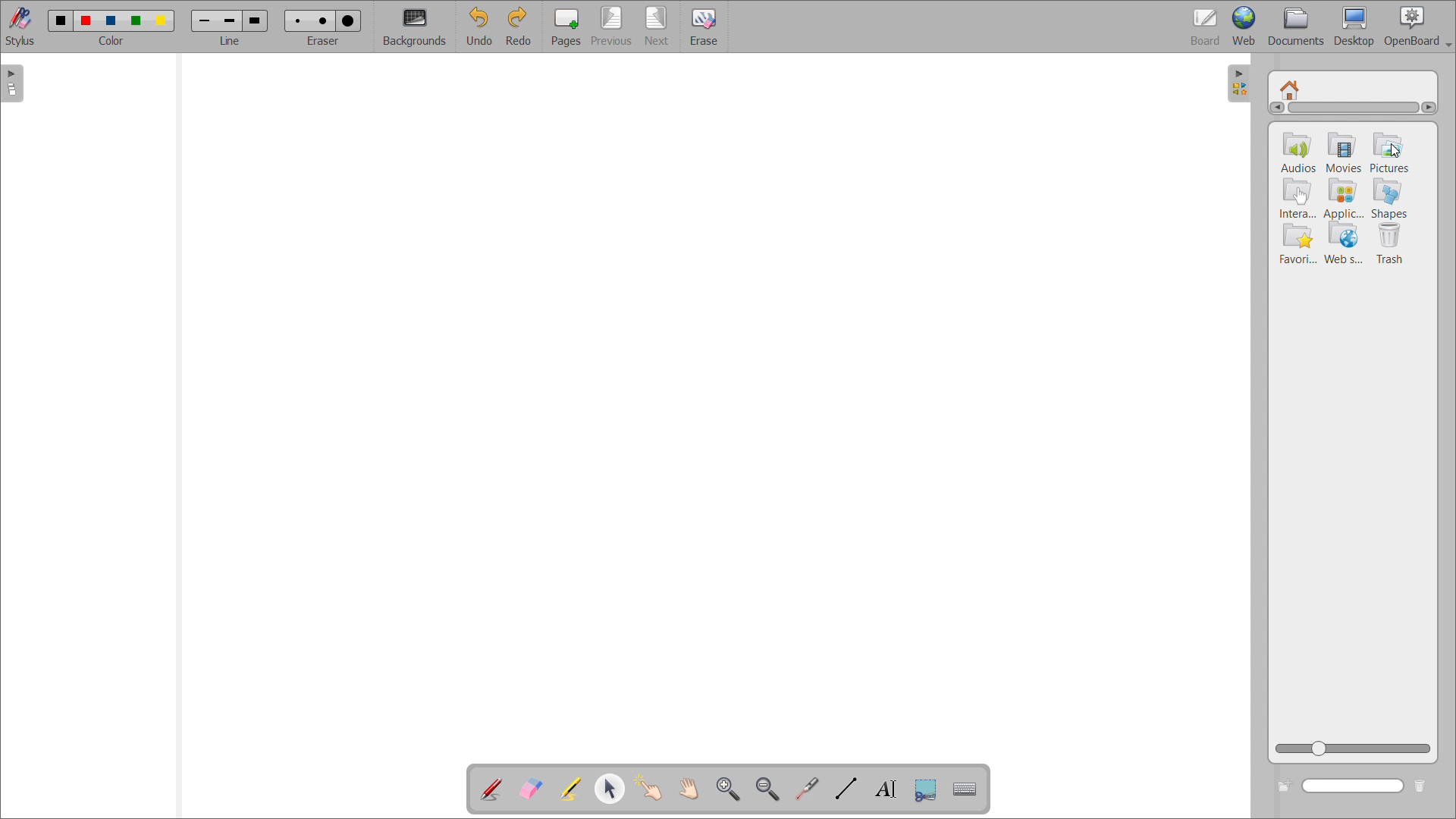  I want to click on scrollbar, so click(1354, 108).